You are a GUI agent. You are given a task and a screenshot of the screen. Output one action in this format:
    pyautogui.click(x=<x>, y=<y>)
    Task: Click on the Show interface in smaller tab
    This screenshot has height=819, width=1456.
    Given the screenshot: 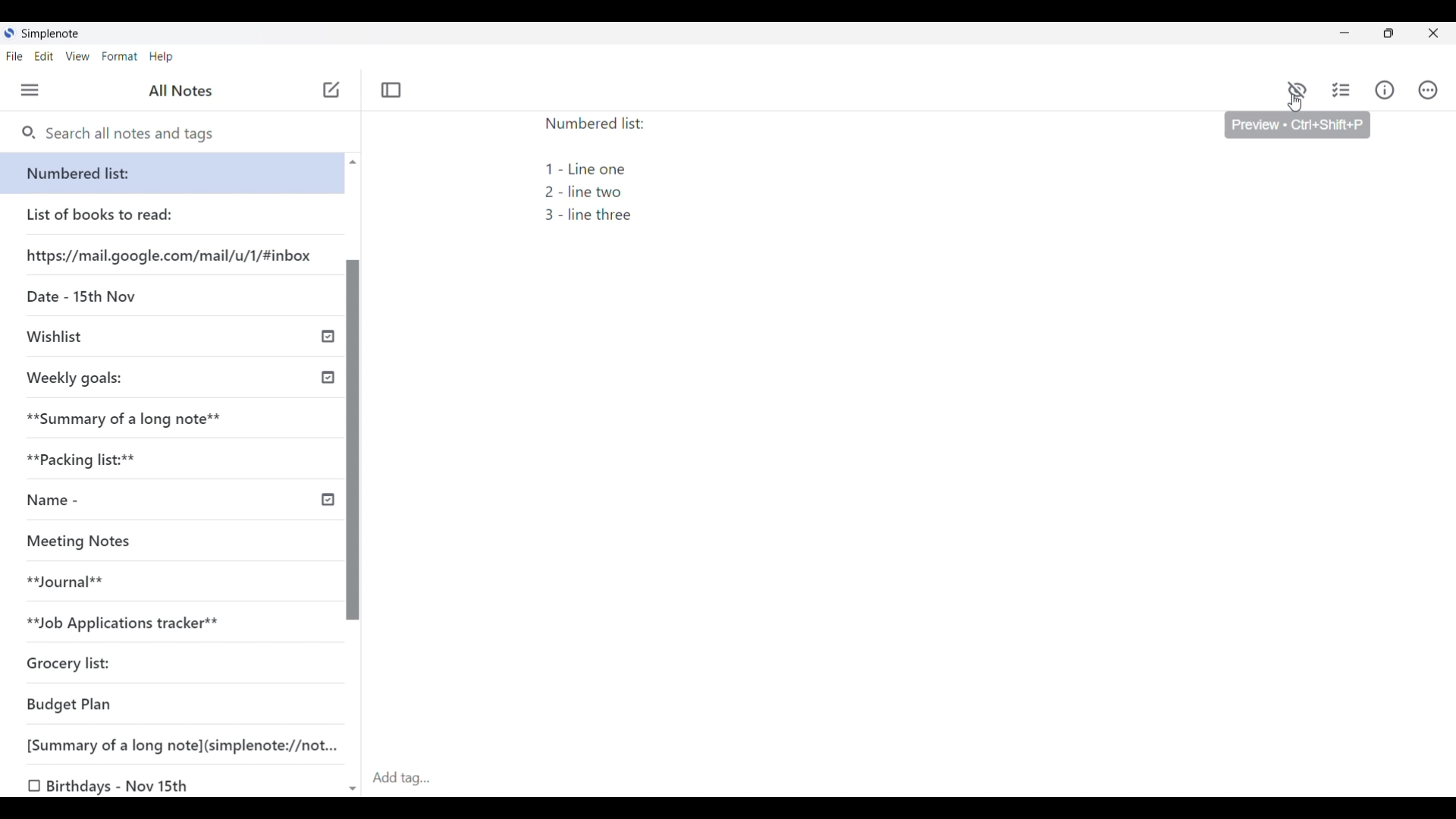 What is the action you would take?
    pyautogui.click(x=1389, y=33)
    